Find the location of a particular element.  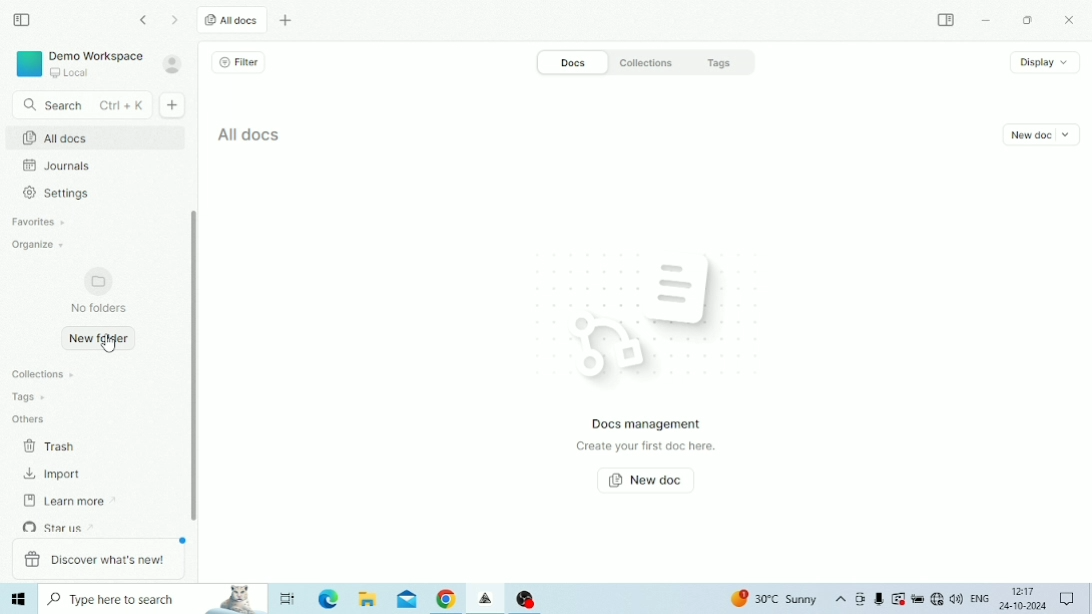

Docs management is located at coordinates (648, 424).